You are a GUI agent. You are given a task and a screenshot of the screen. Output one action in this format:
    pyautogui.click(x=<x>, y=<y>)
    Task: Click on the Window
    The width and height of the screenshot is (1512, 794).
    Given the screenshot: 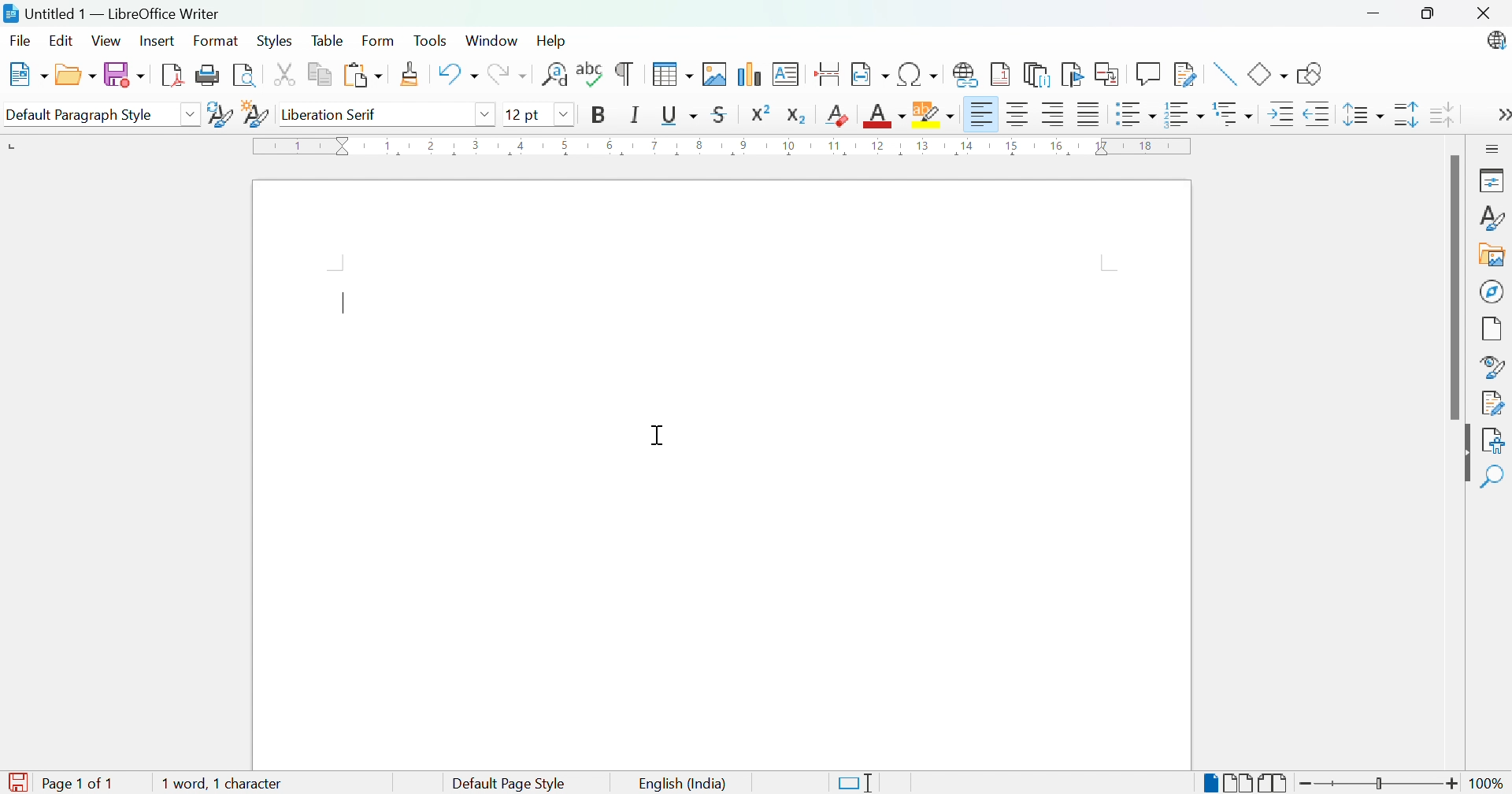 What is the action you would take?
    pyautogui.click(x=492, y=41)
    